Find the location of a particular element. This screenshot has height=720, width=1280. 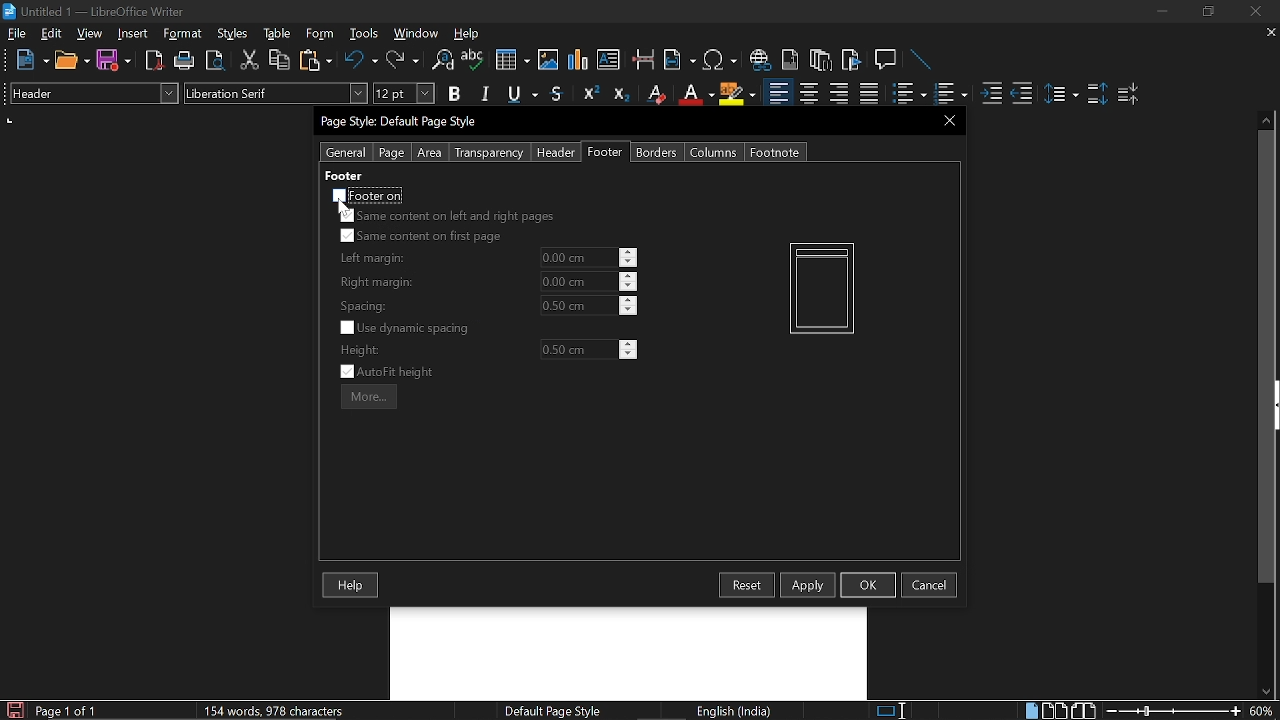

Transparency is located at coordinates (487, 153).